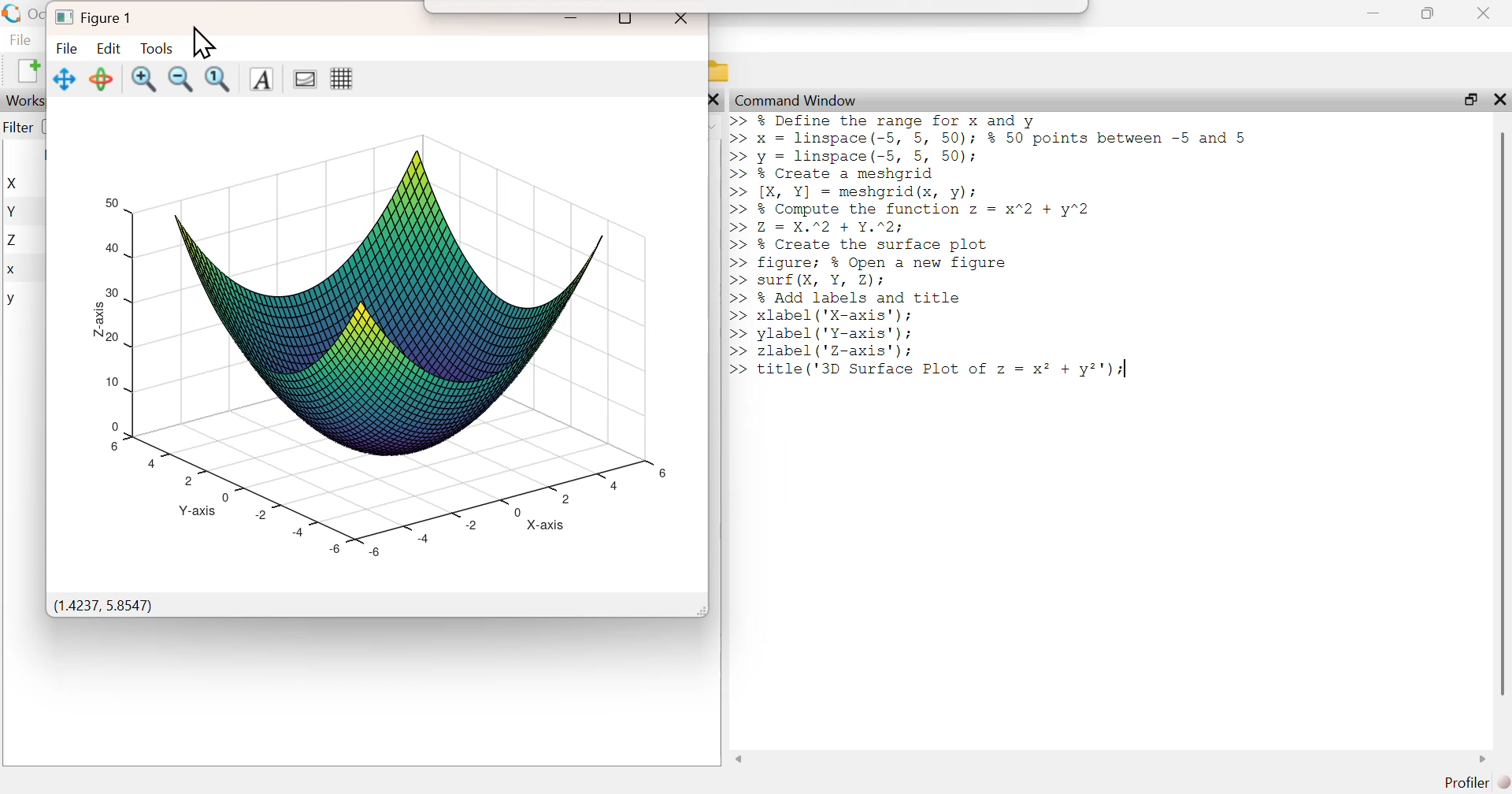 This screenshot has height=794, width=1512. I want to click on Z, so click(14, 241).